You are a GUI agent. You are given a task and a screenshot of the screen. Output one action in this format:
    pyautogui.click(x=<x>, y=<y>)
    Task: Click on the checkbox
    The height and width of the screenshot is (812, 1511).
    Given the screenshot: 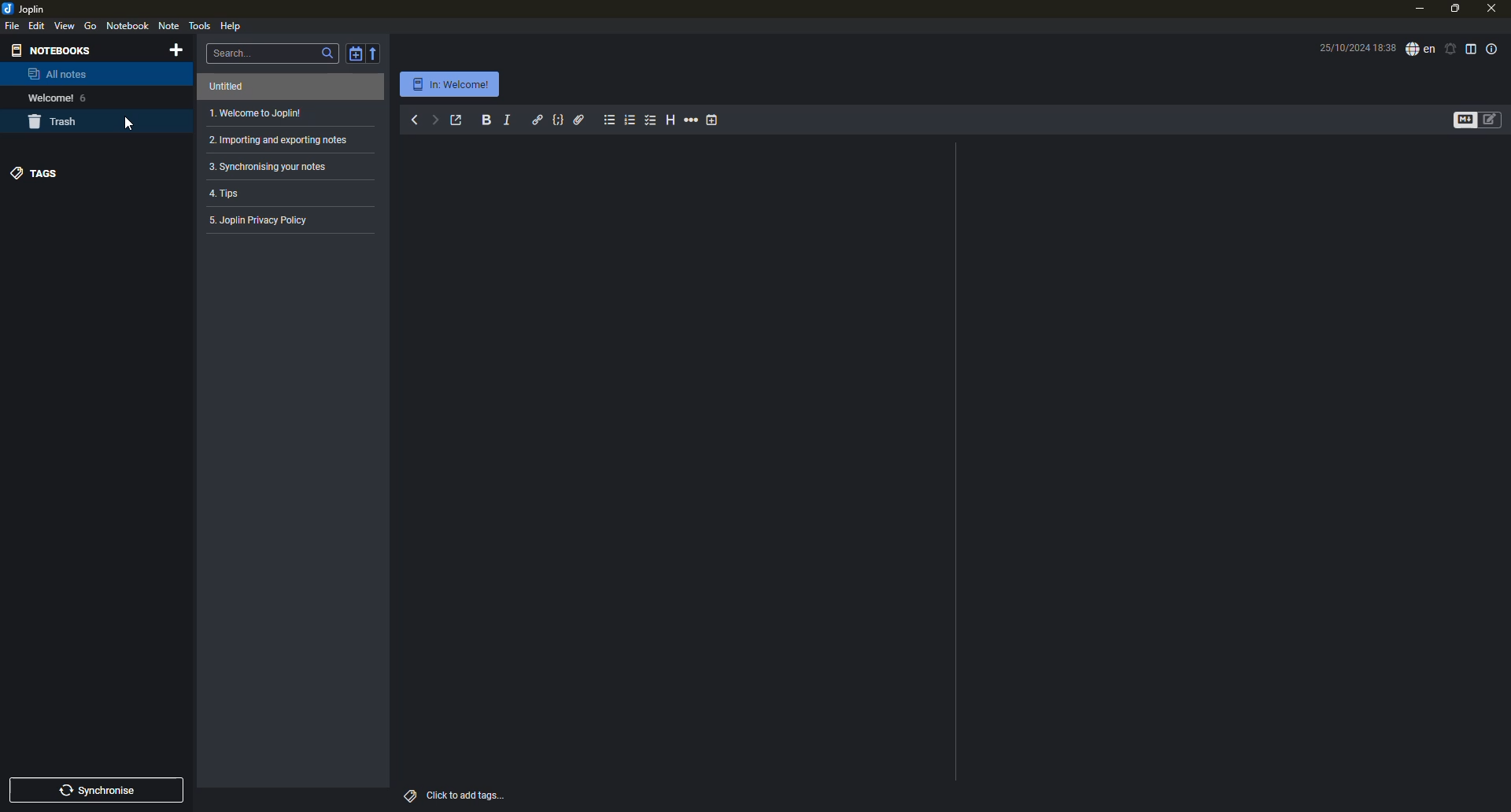 What is the action you would take?
    pyautogui.click(x=652, y=120)
    